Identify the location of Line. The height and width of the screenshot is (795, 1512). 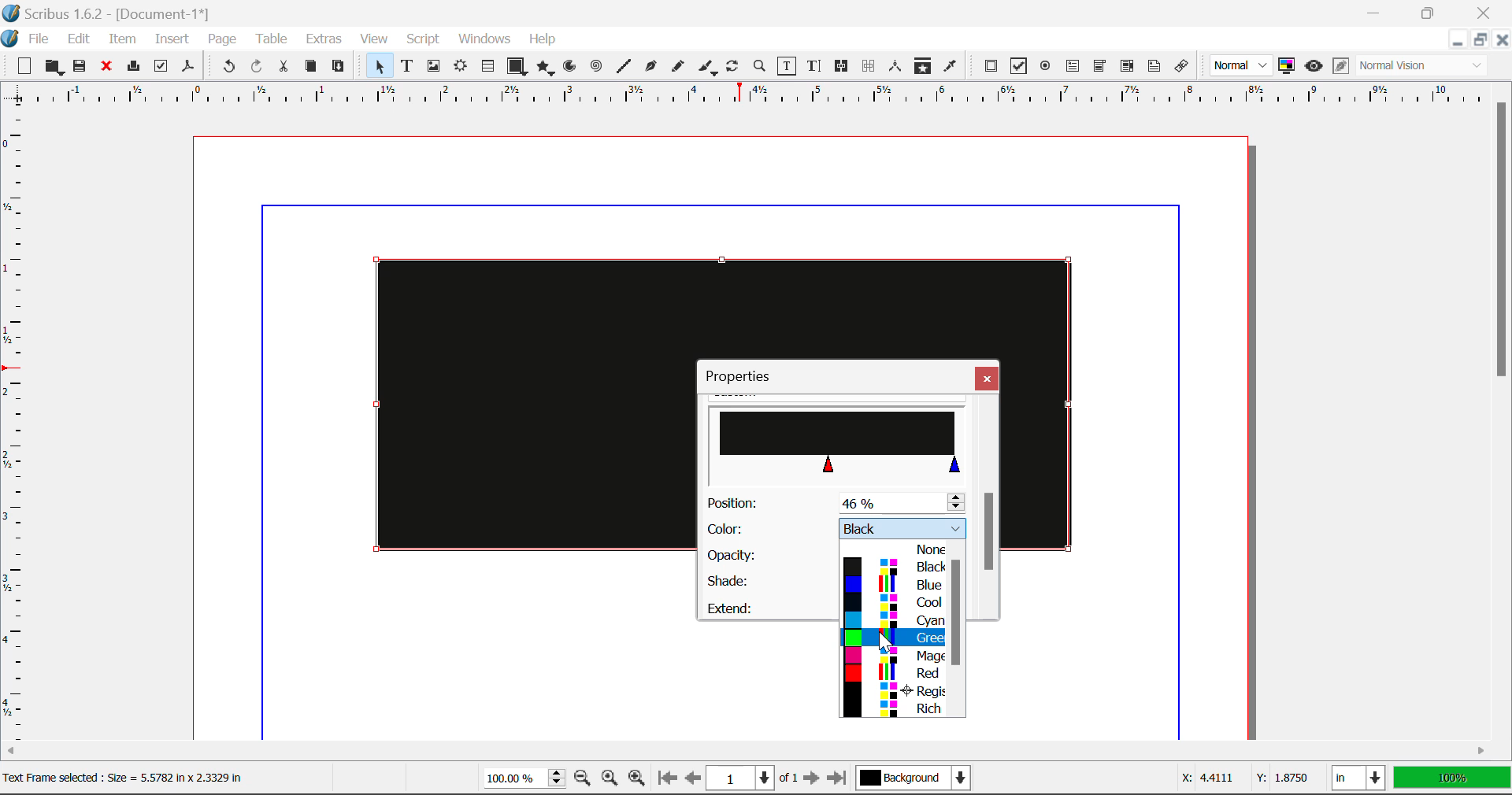
(624, 67).